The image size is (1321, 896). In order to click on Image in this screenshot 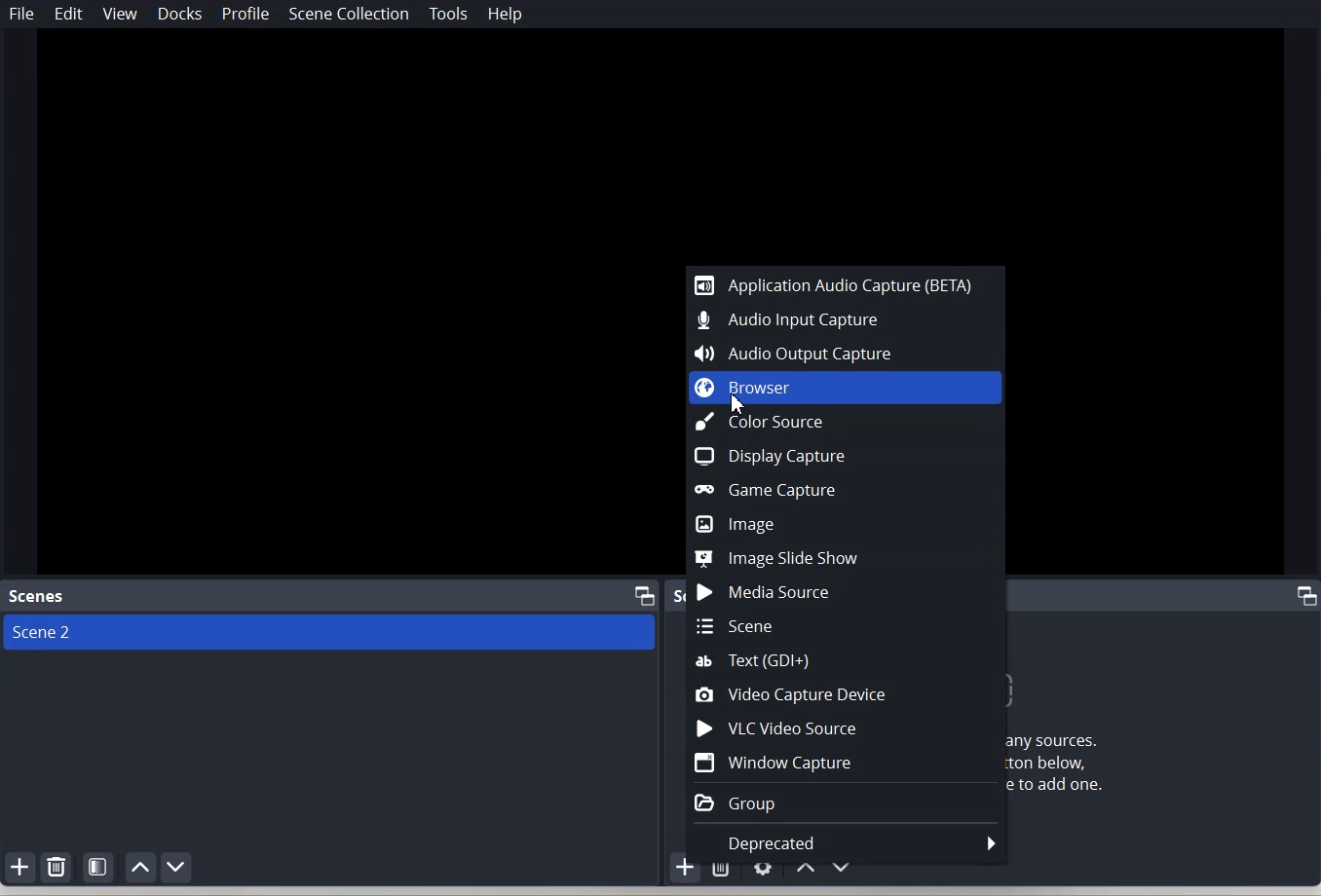, I will do `click(846, 523)`.